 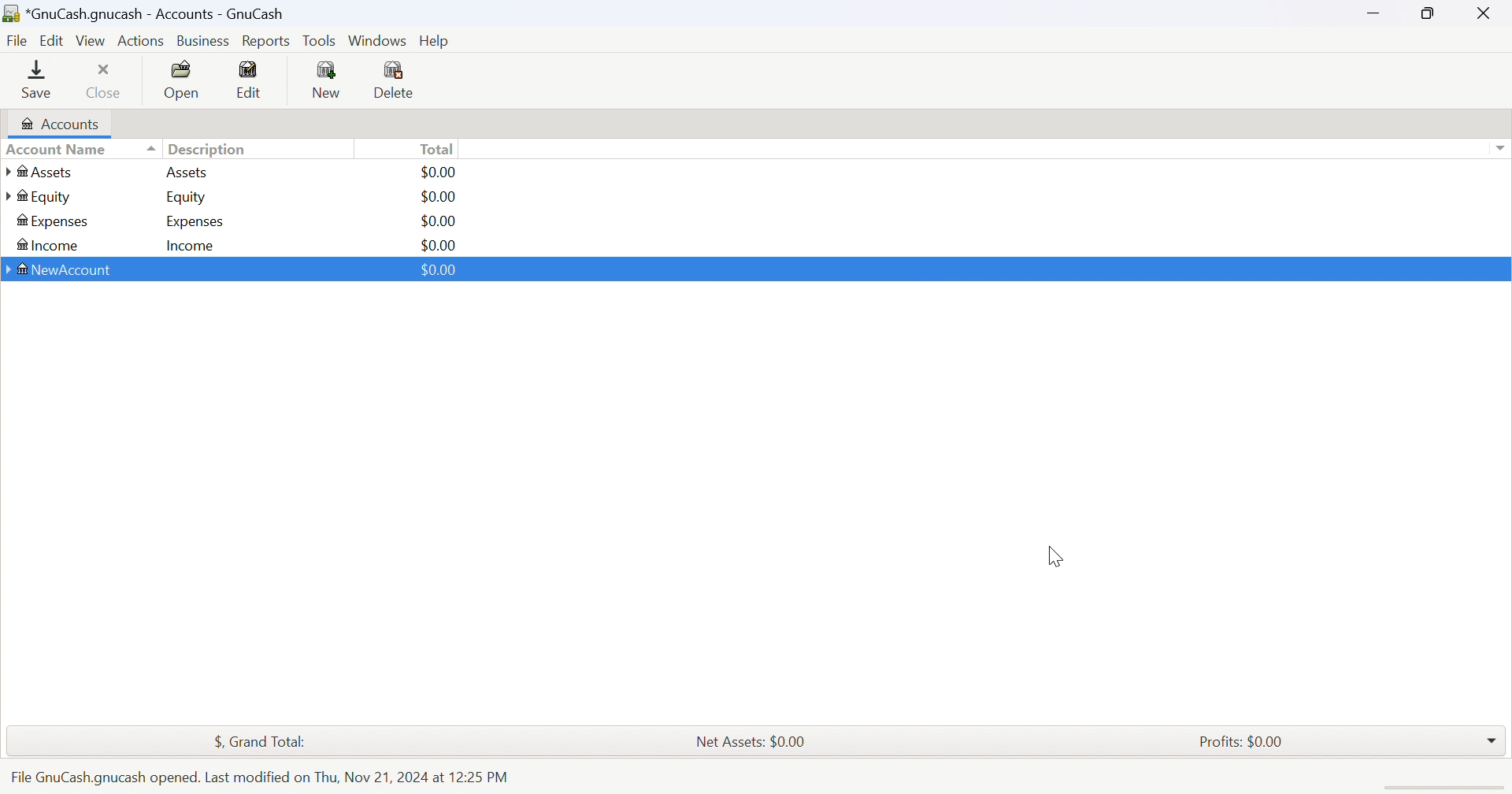 I want to click on Equity, so click(x=188, y=197).